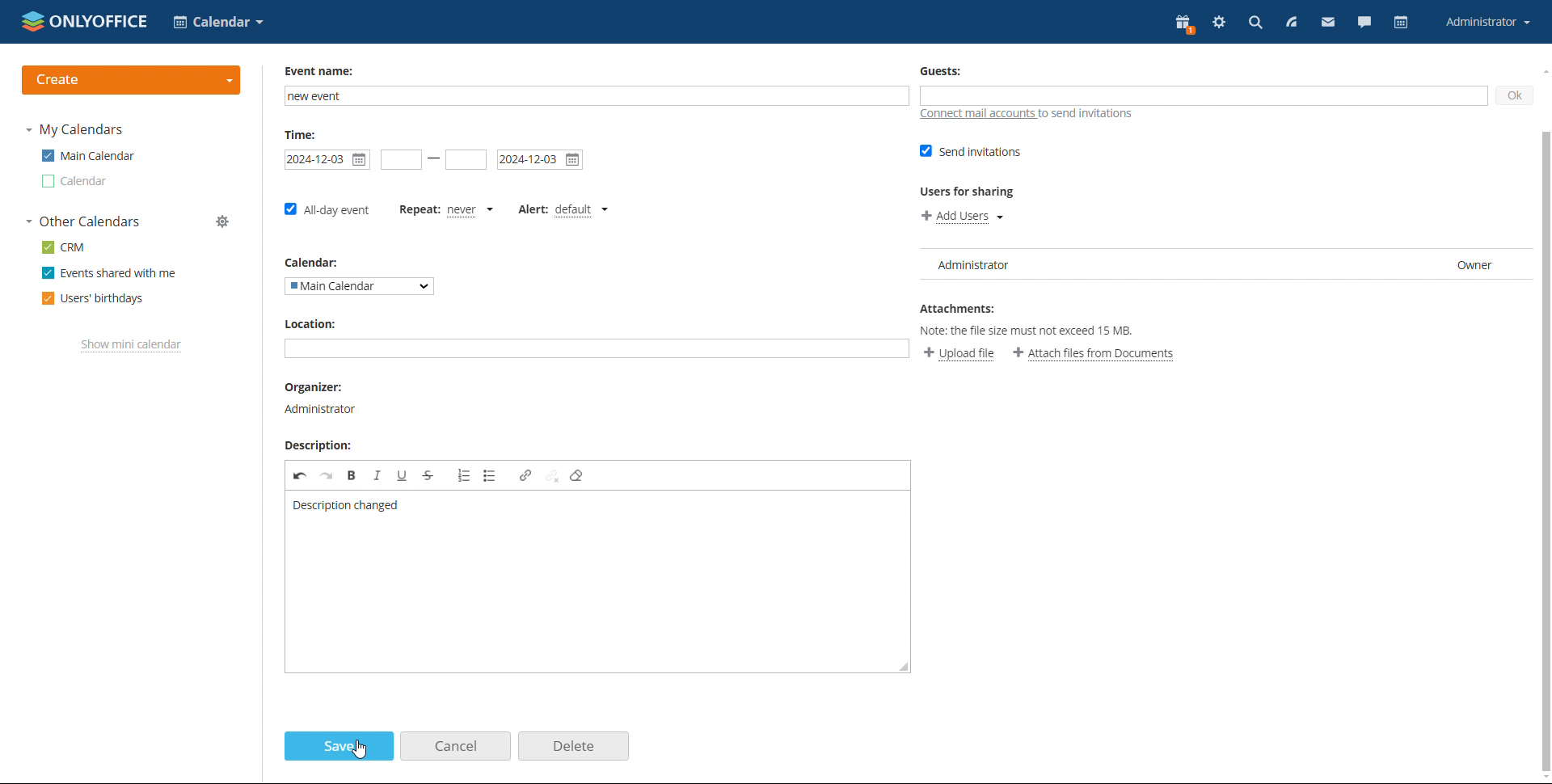 The height and width of the screenshot is (784, 1552). Describe the element at coordinates (468, 160) in the screenshot. I see `end time` at that location.